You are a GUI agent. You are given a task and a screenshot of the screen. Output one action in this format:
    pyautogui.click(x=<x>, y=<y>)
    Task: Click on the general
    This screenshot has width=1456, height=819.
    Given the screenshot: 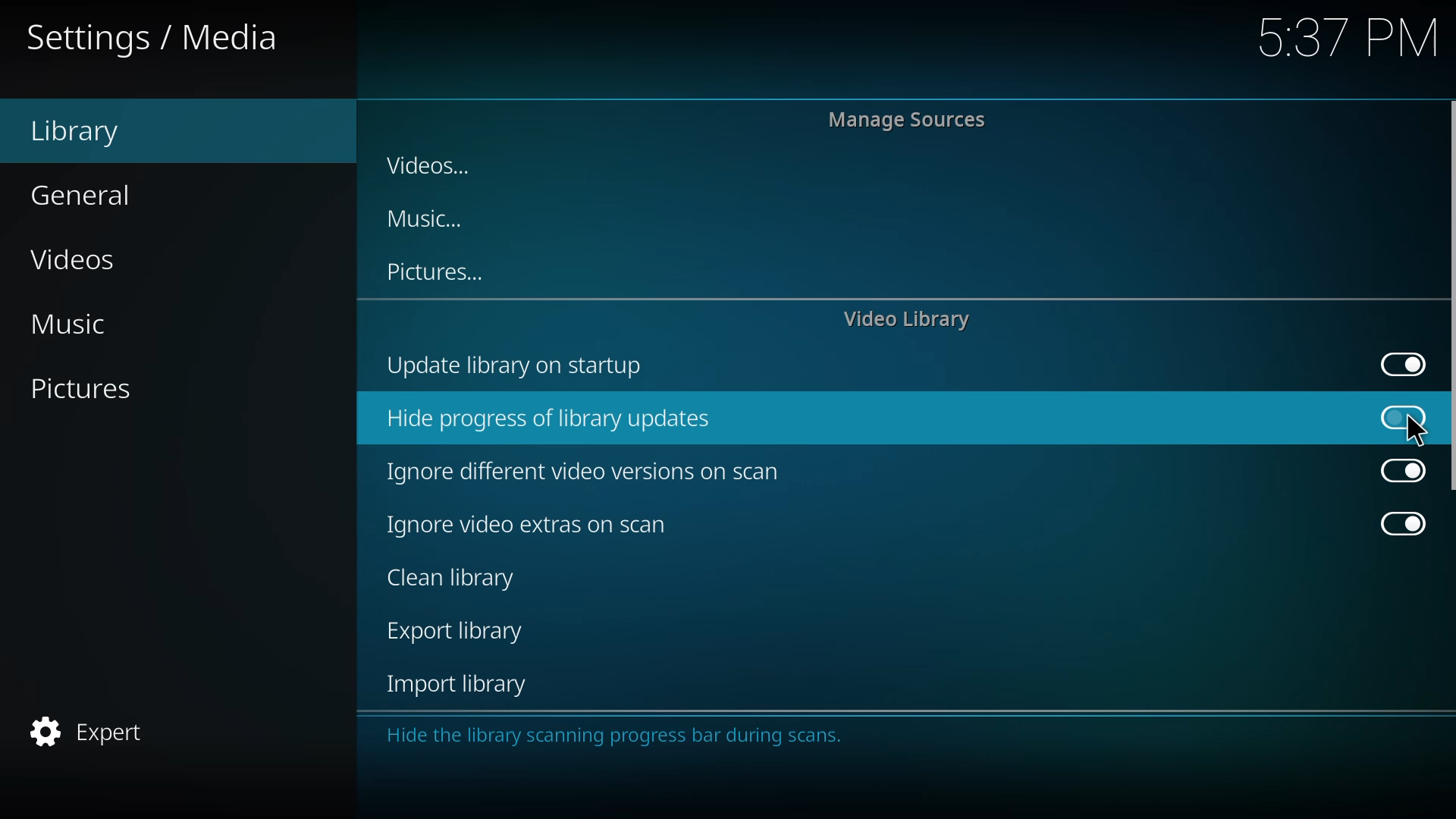 What is the action you would take?
    pyautogui.click(x=91, y=193)
    